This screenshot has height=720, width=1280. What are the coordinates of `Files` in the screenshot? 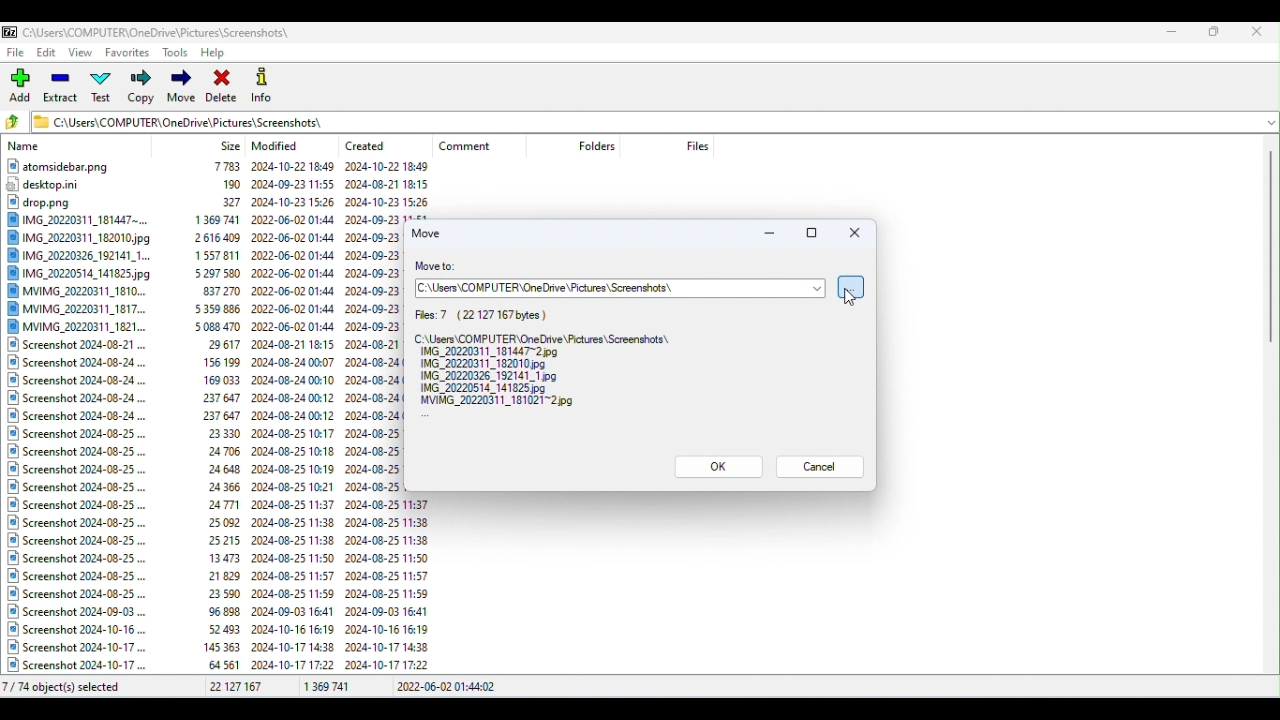 It's located at (697, 145).